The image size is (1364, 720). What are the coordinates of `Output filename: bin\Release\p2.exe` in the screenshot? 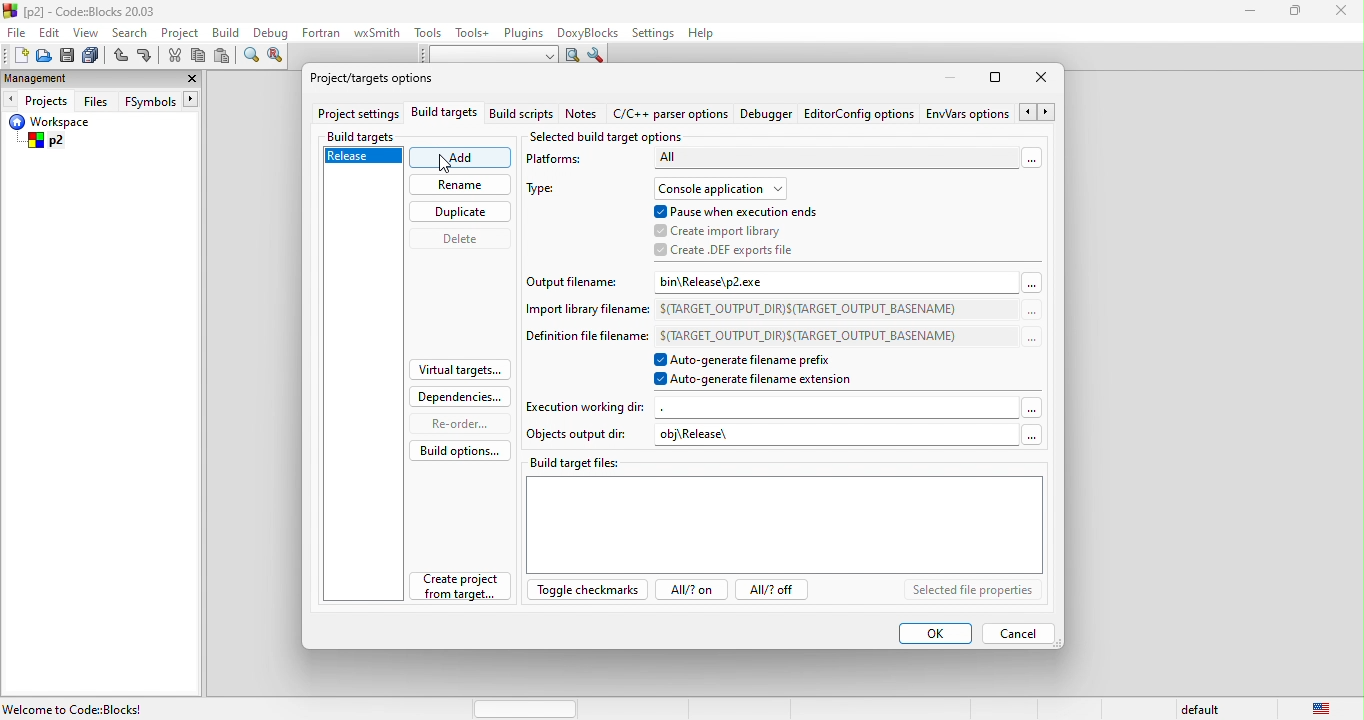 It's located at (775, 282).